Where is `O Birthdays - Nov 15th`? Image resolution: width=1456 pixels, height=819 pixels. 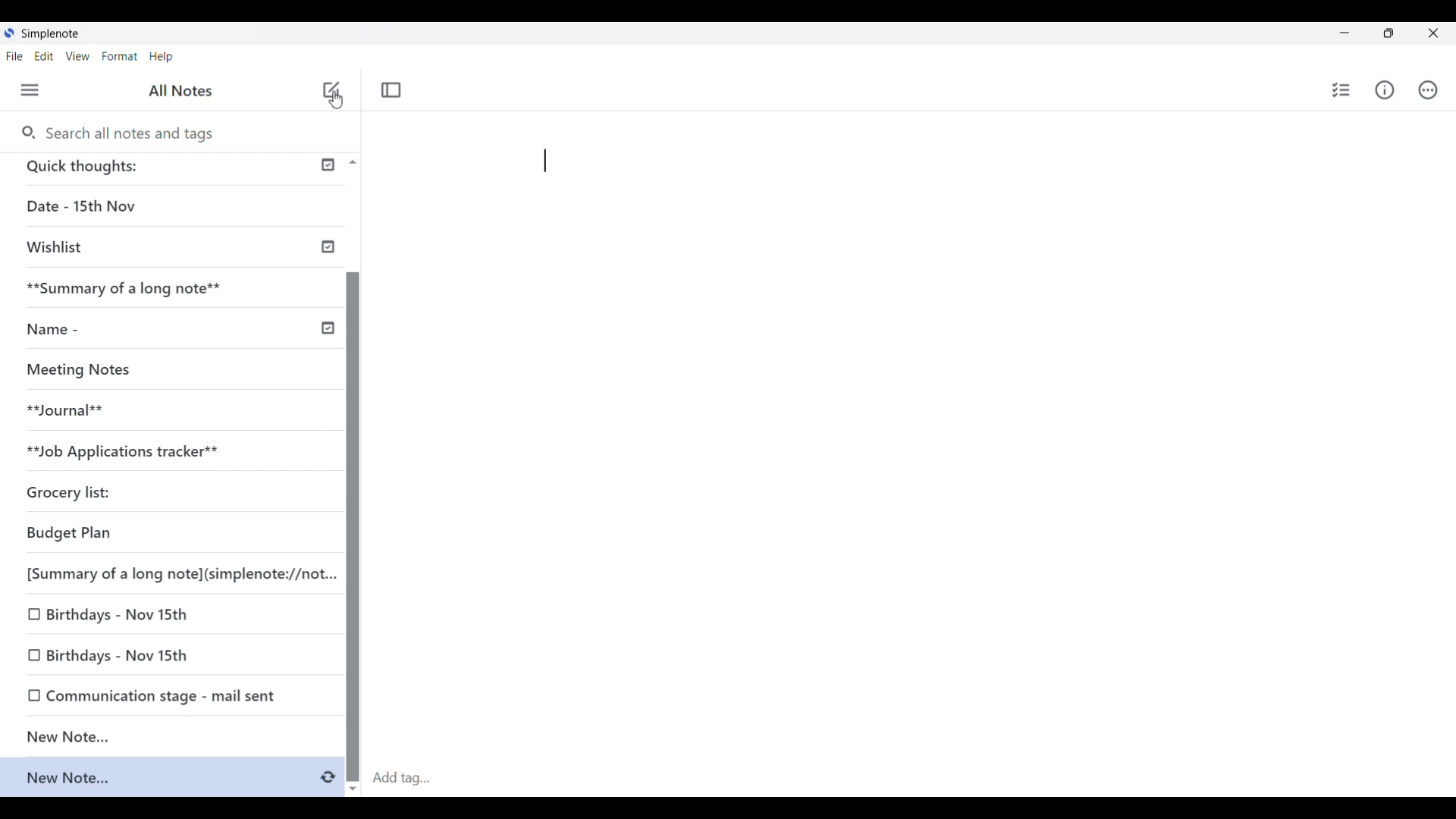 O Birthdays - Nov 15th is located at coordinates (118, 615).